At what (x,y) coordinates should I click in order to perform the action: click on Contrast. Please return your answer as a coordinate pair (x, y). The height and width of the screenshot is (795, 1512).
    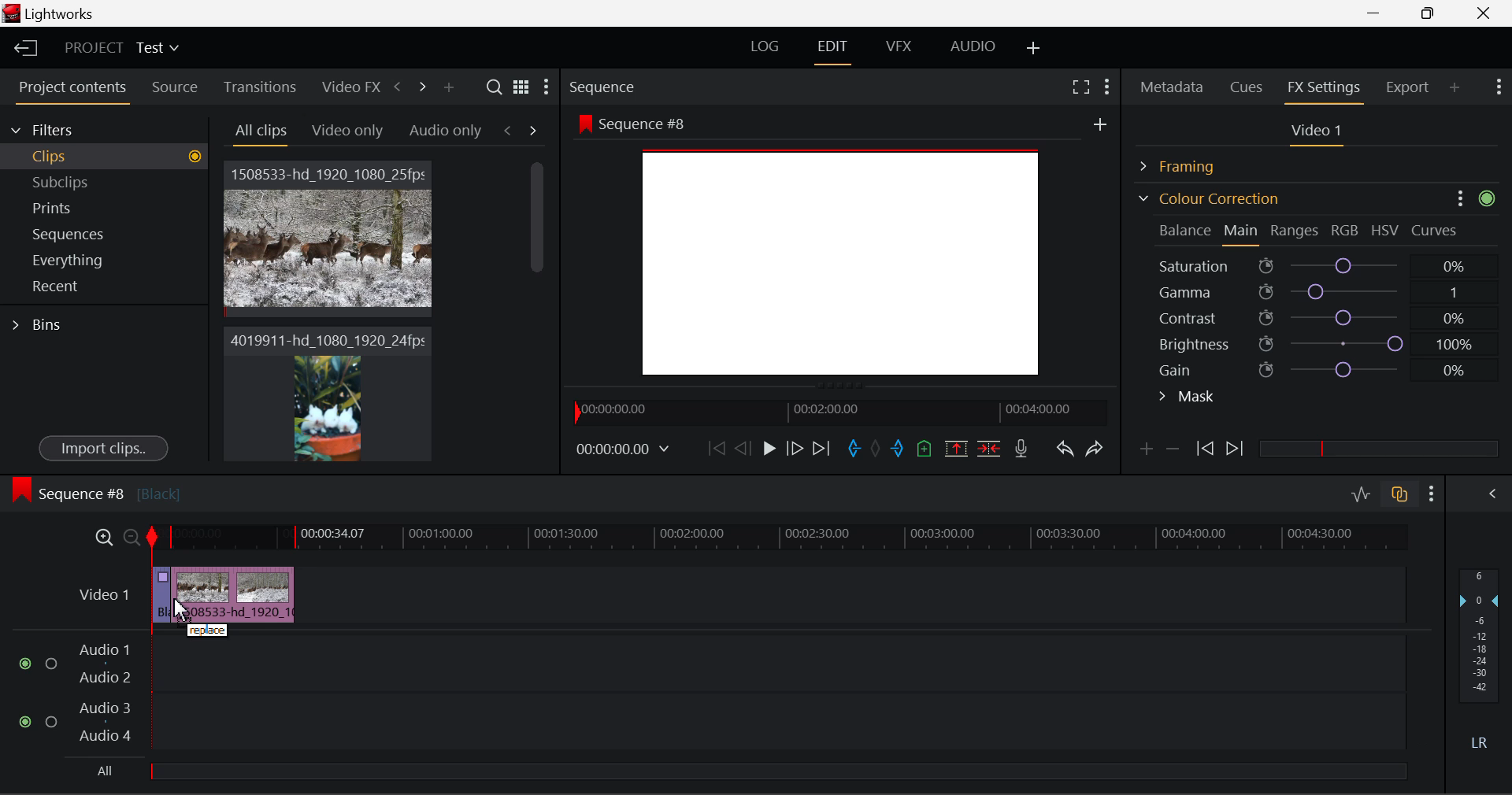
    Looking at the image, I should click on (1318, 317).